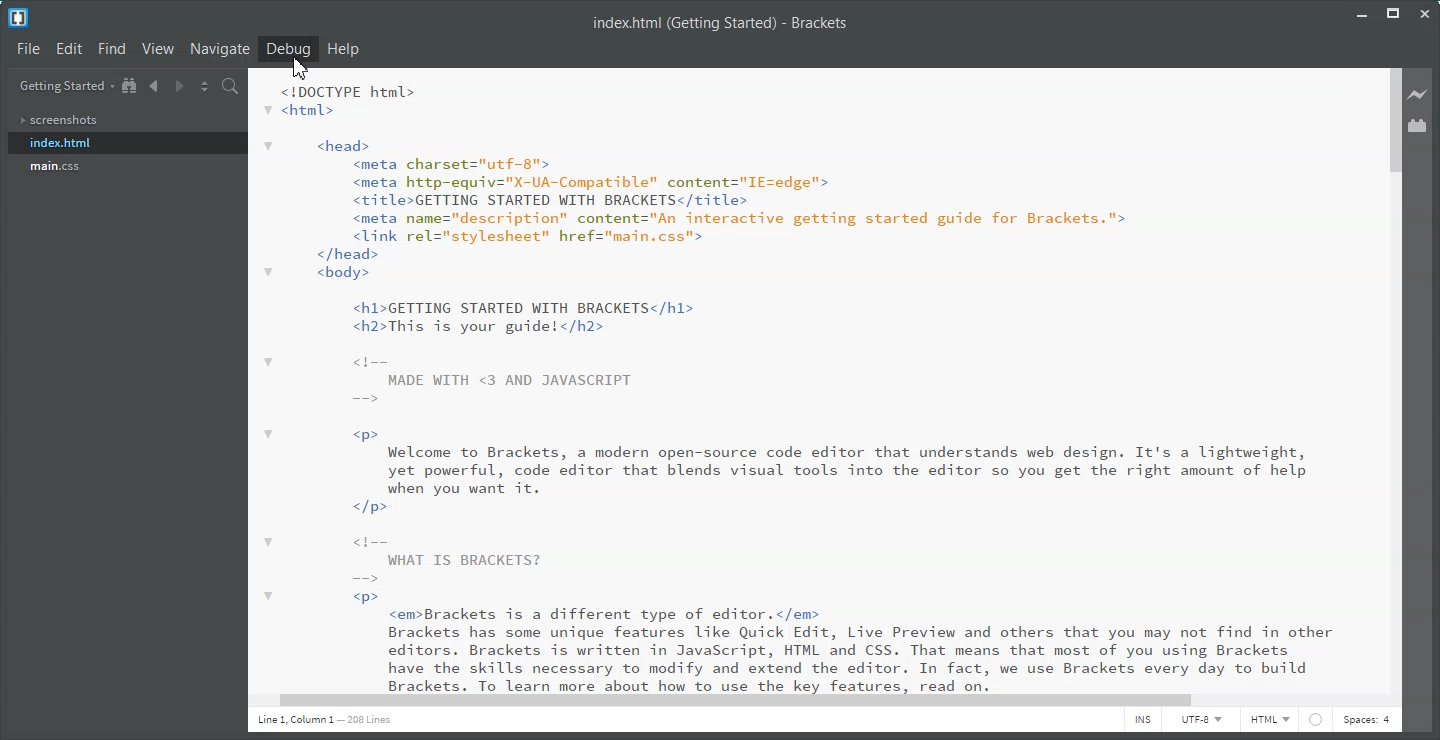  Describe the element at coordinates (1269, 721) in the screenshot. I see `HTML` at that location.